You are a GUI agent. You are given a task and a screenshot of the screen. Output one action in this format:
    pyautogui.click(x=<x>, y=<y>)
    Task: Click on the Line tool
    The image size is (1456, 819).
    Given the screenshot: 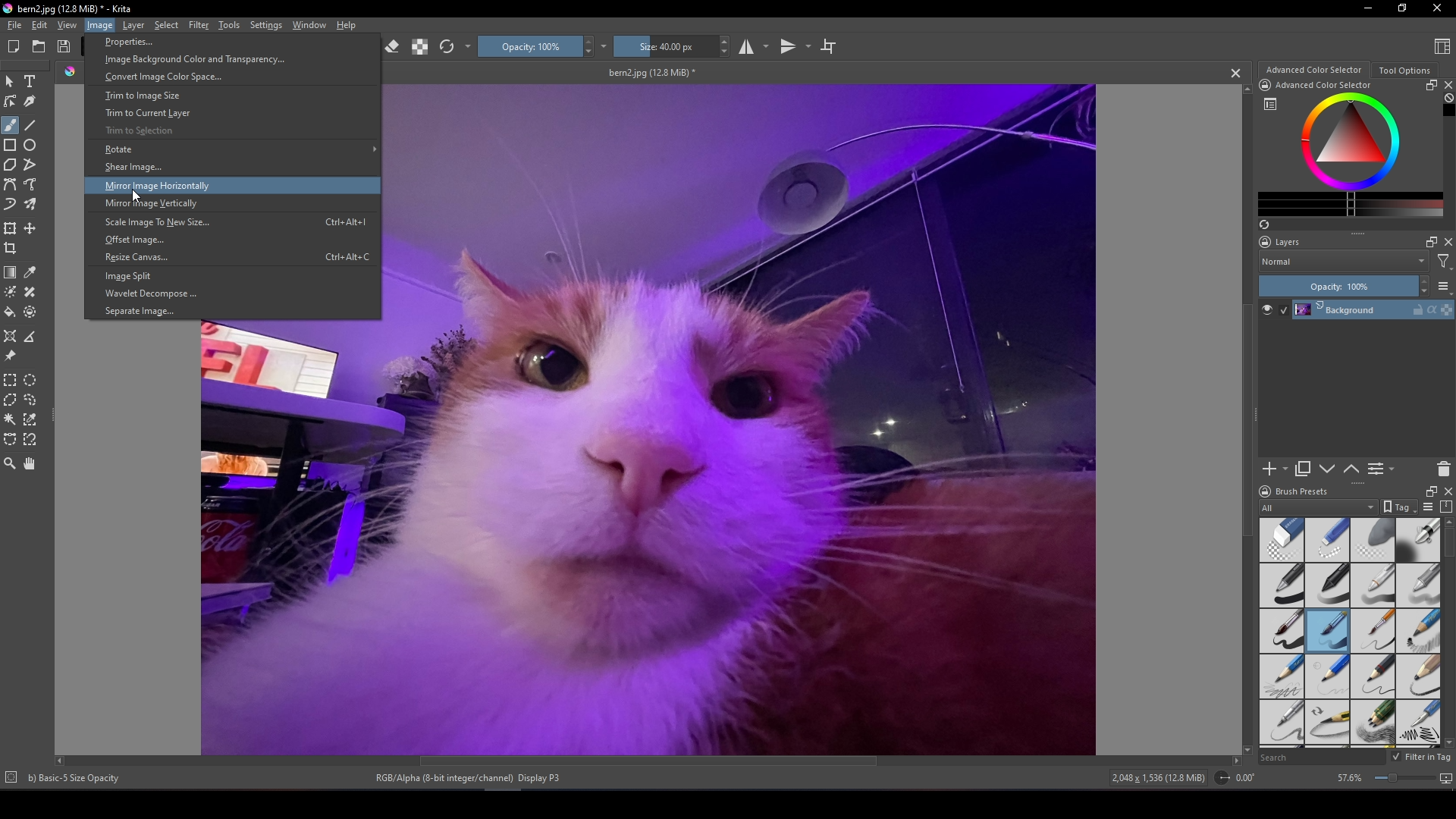 What is the action you would take?
    pyautogui.click(x=30, y=126)
    